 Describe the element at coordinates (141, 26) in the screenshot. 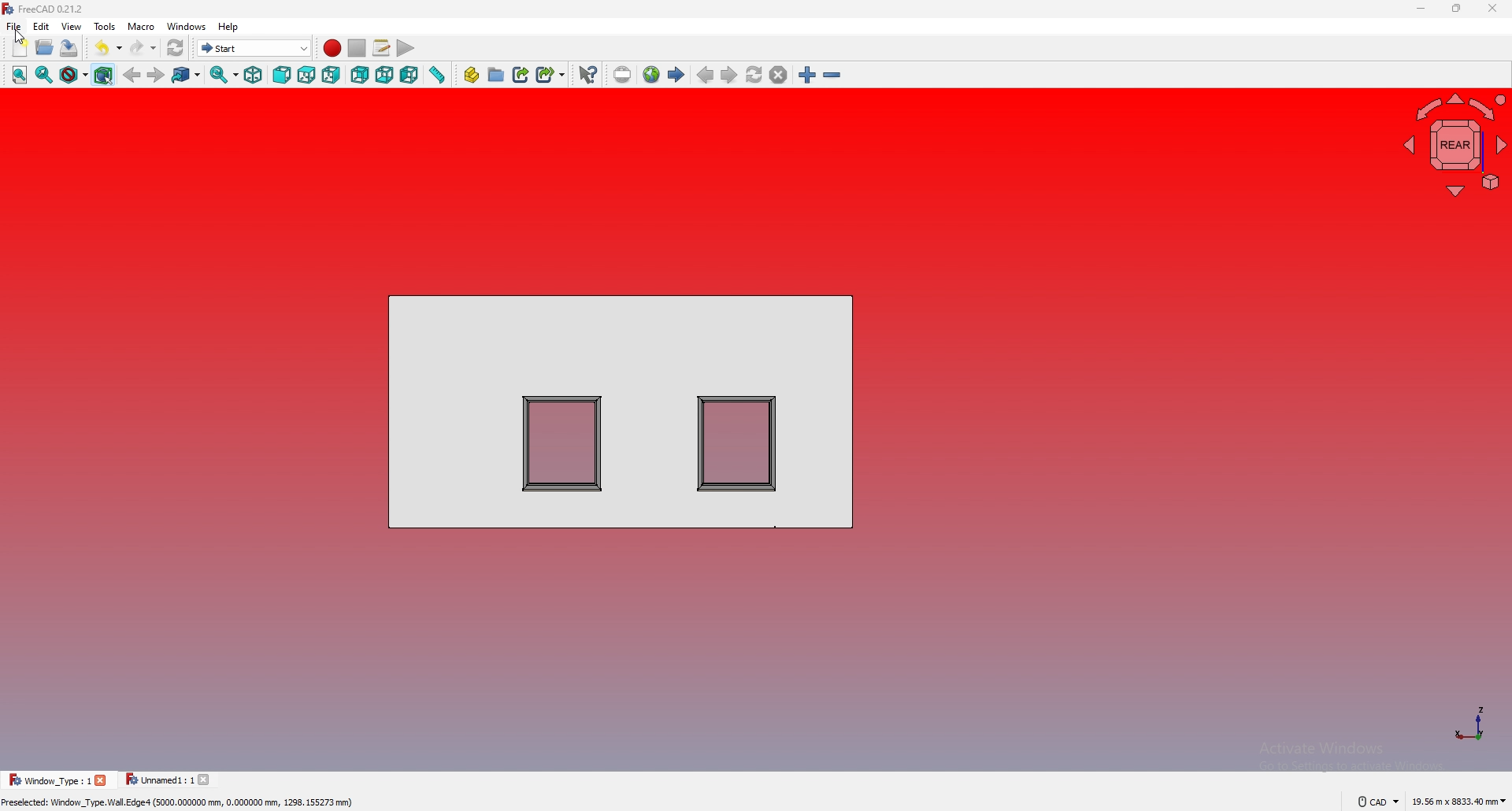

I see `macro` at that location.